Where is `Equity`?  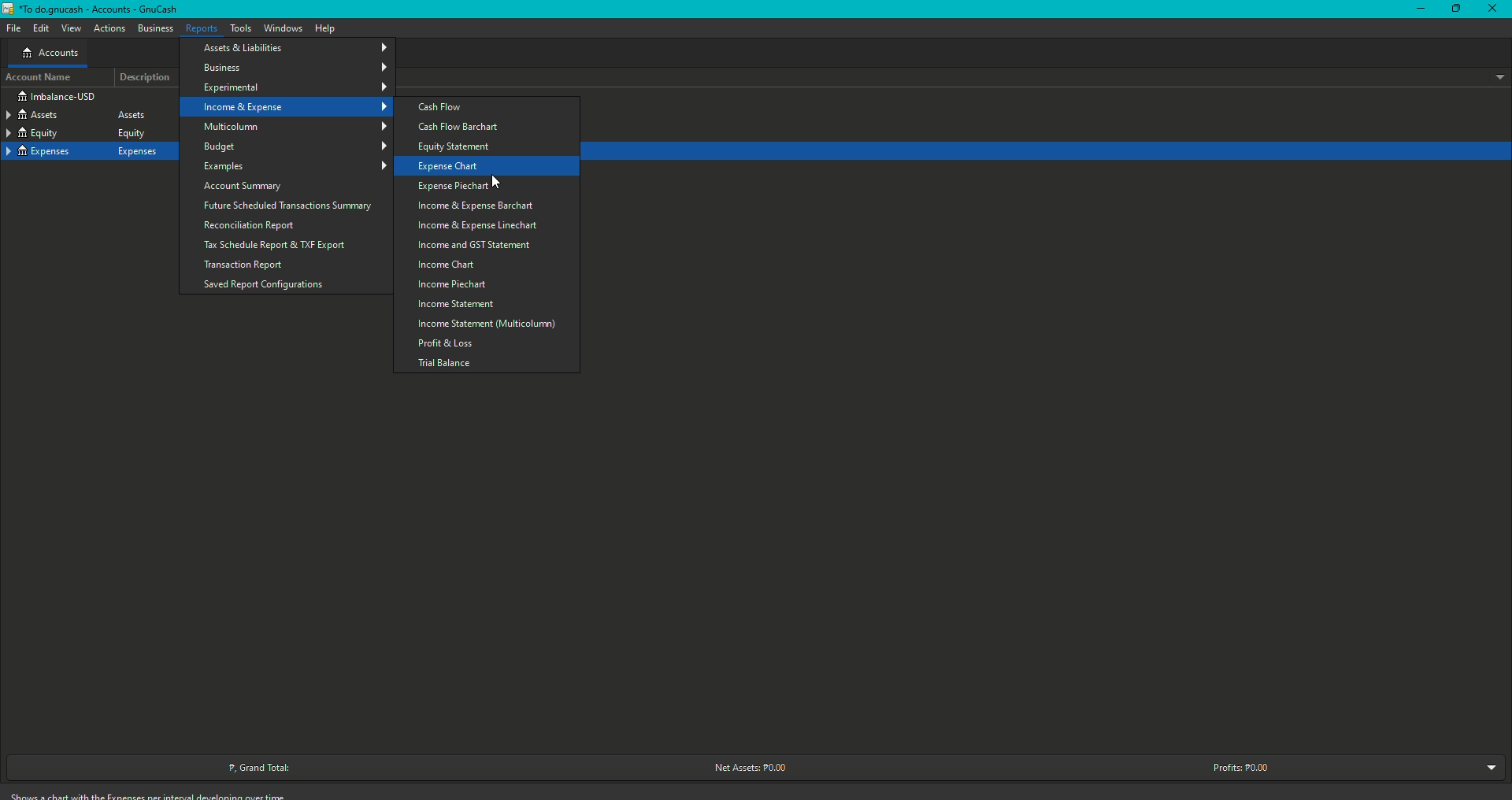
Equity is located at coordinates (87, 133).